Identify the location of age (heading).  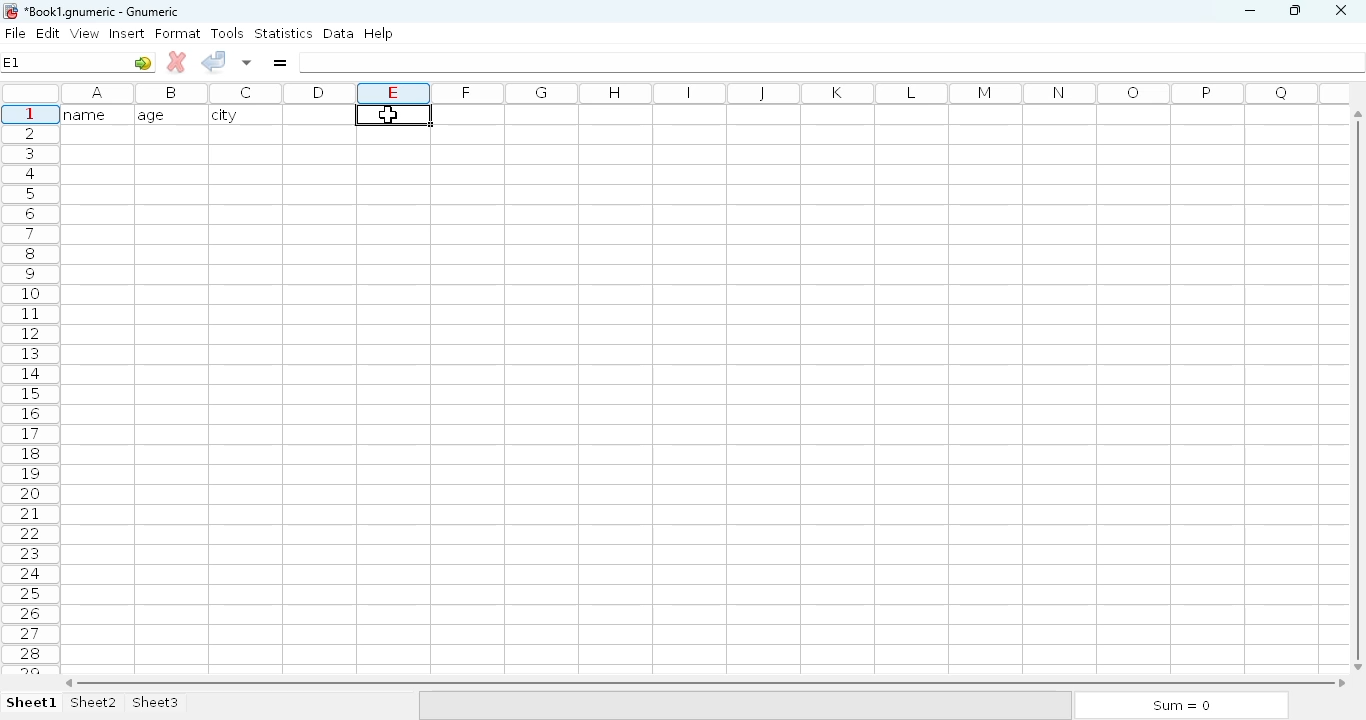
(165, 115).